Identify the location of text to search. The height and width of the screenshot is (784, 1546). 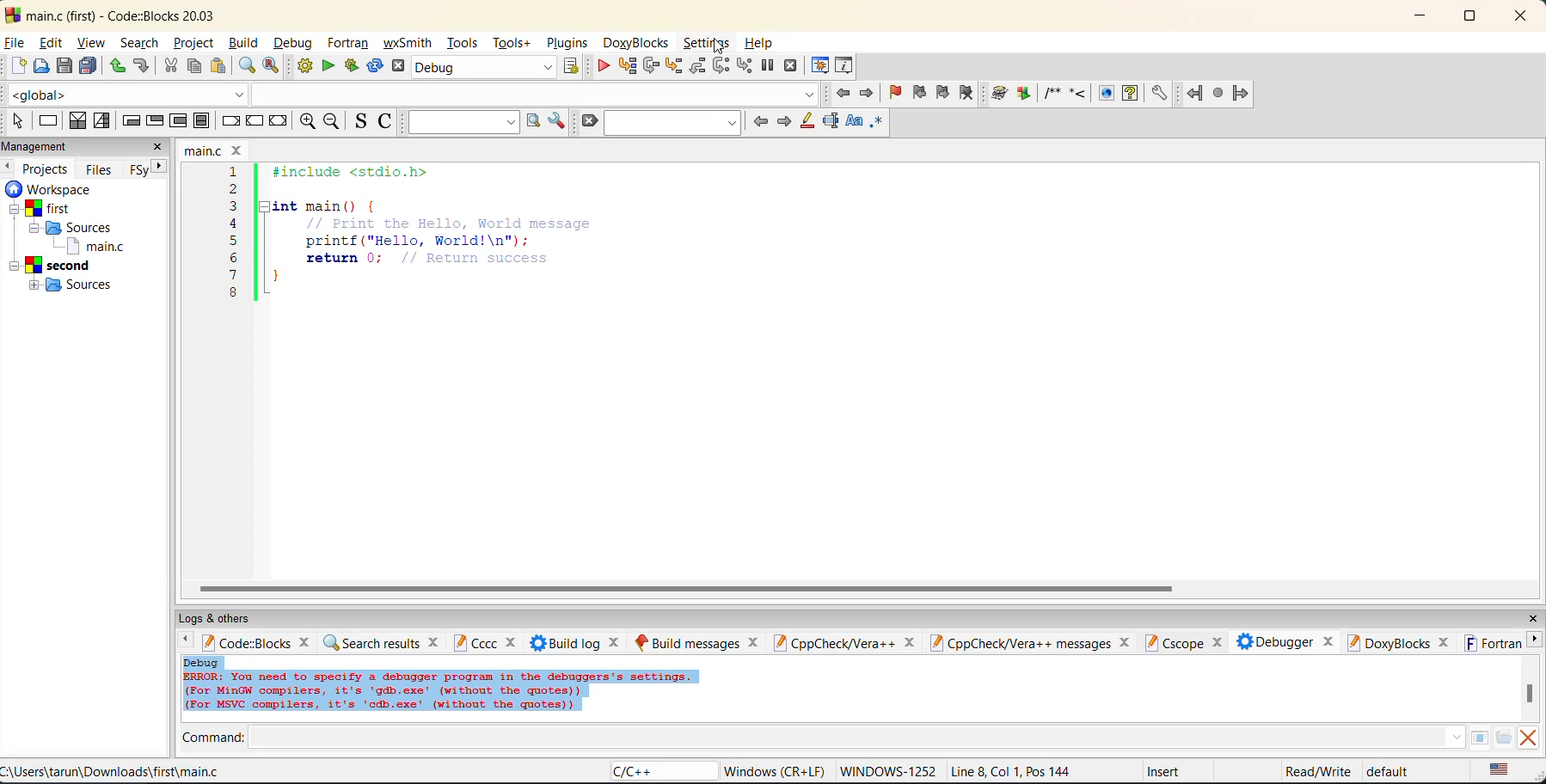
(466, 122).